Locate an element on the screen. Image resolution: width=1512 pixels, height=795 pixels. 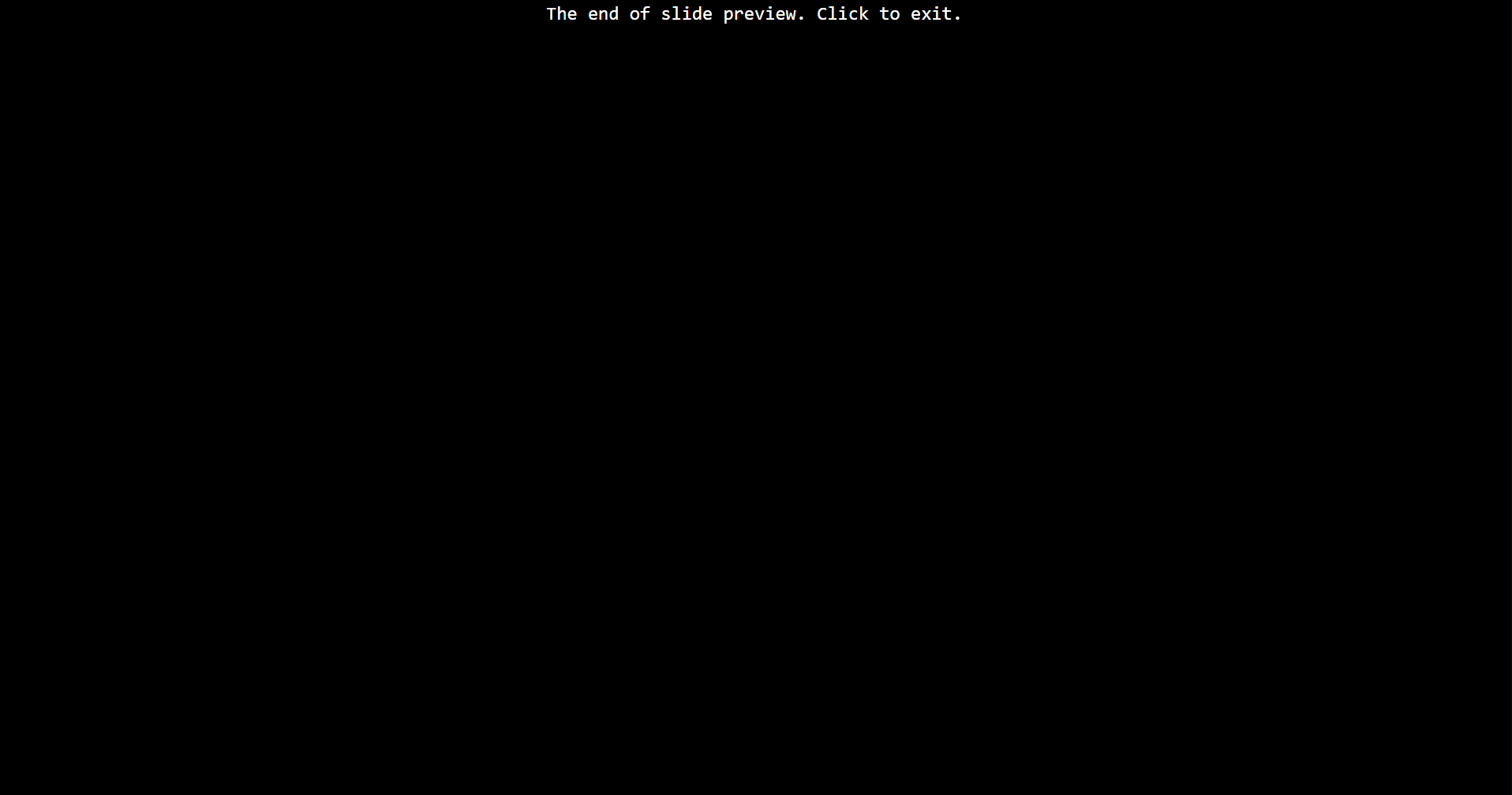
The end of slide preview. Click to exit. is located at coordinates (754, 17).